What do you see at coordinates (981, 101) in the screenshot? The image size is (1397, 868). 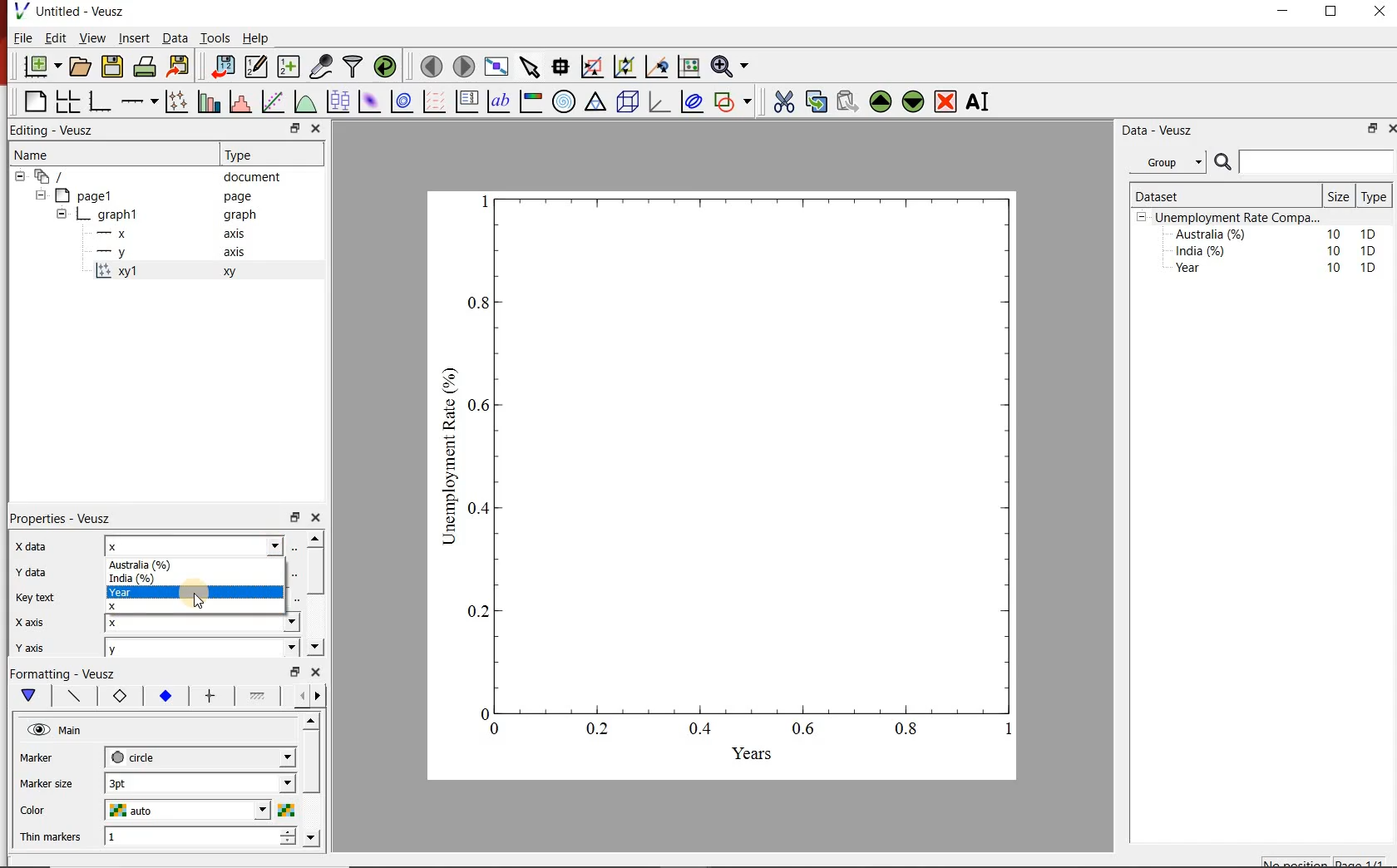 I see `rename the widgets` at bounding box center [981, 101].